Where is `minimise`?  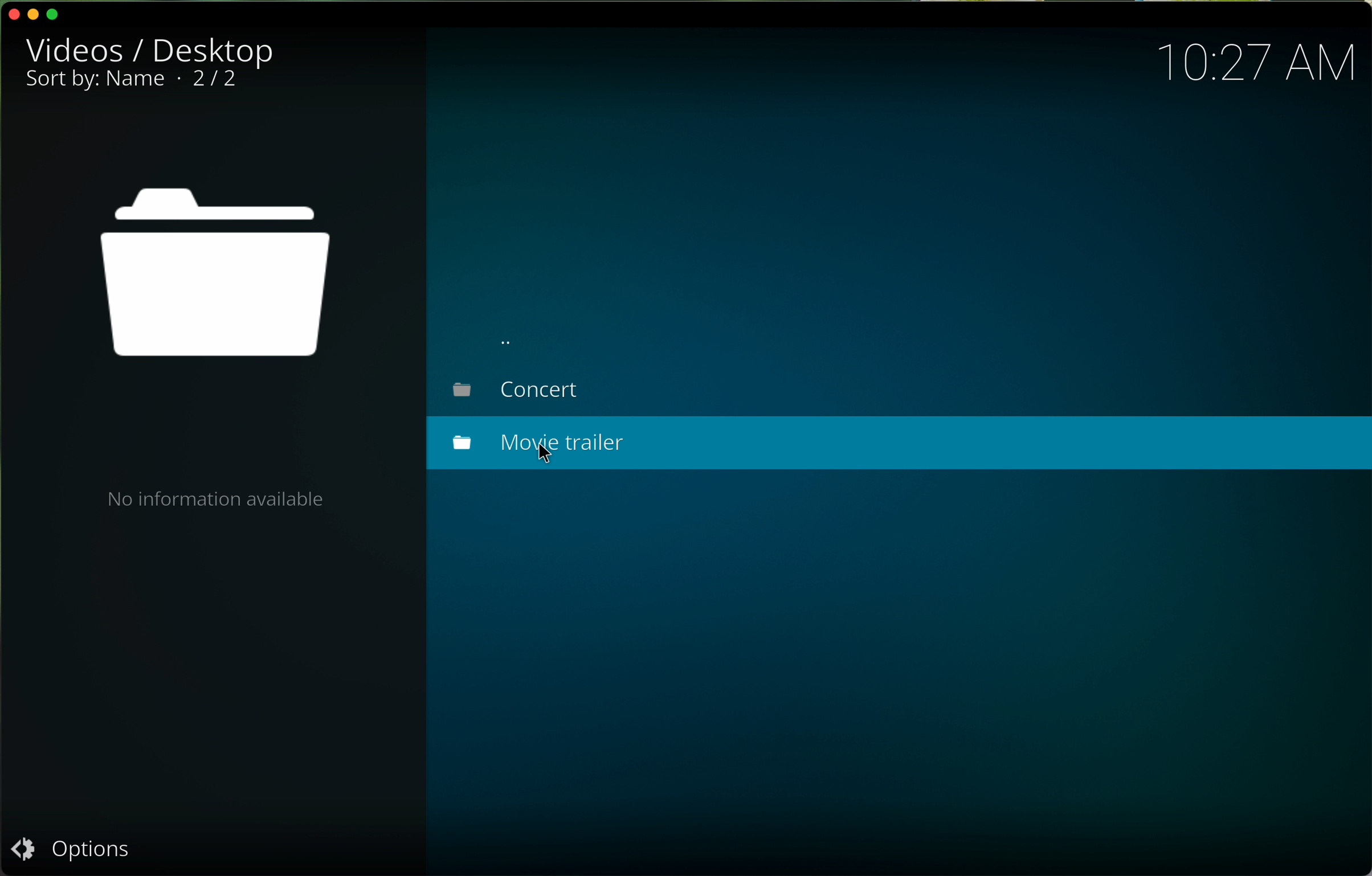
minimise is located at coordinates (35, 15).